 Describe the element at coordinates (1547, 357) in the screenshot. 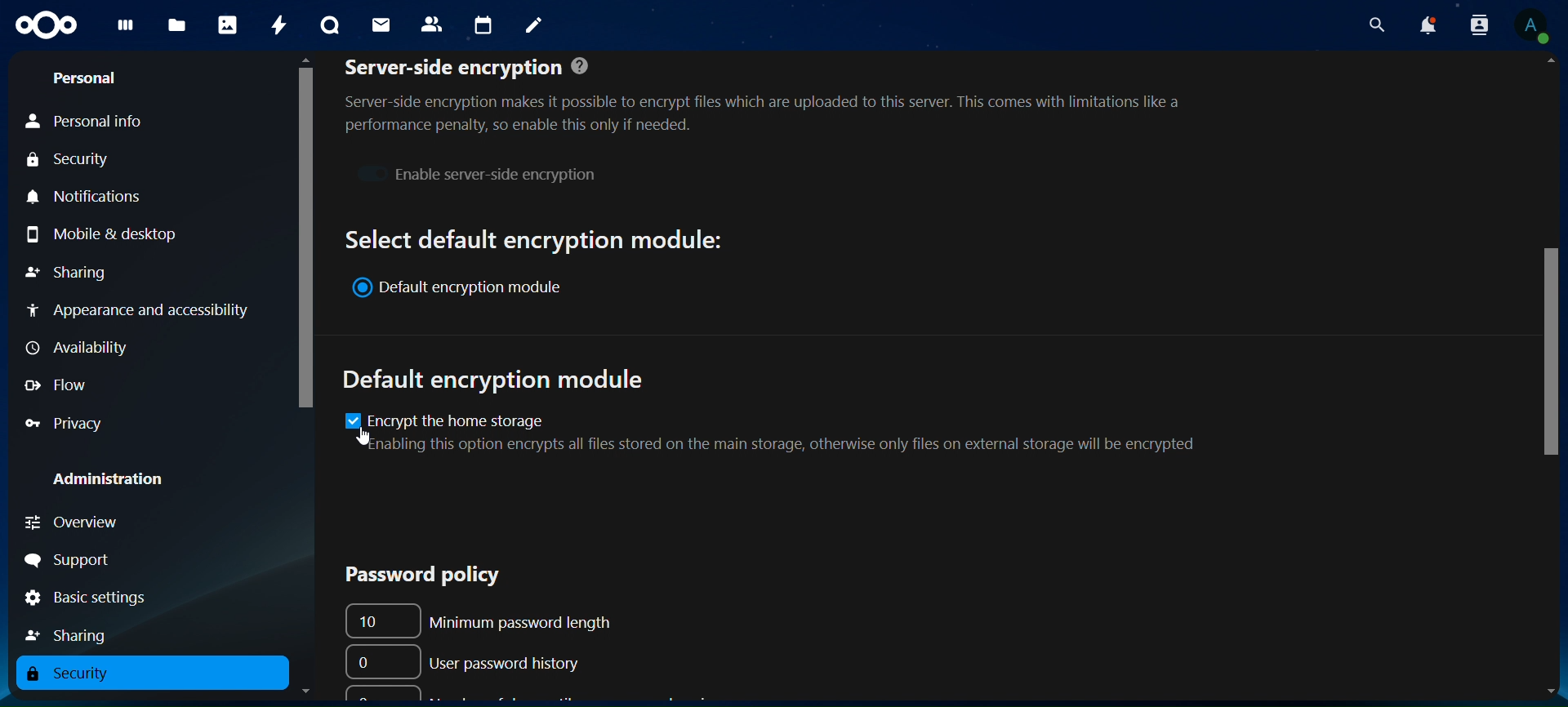

I see `scrollbar` at that location.